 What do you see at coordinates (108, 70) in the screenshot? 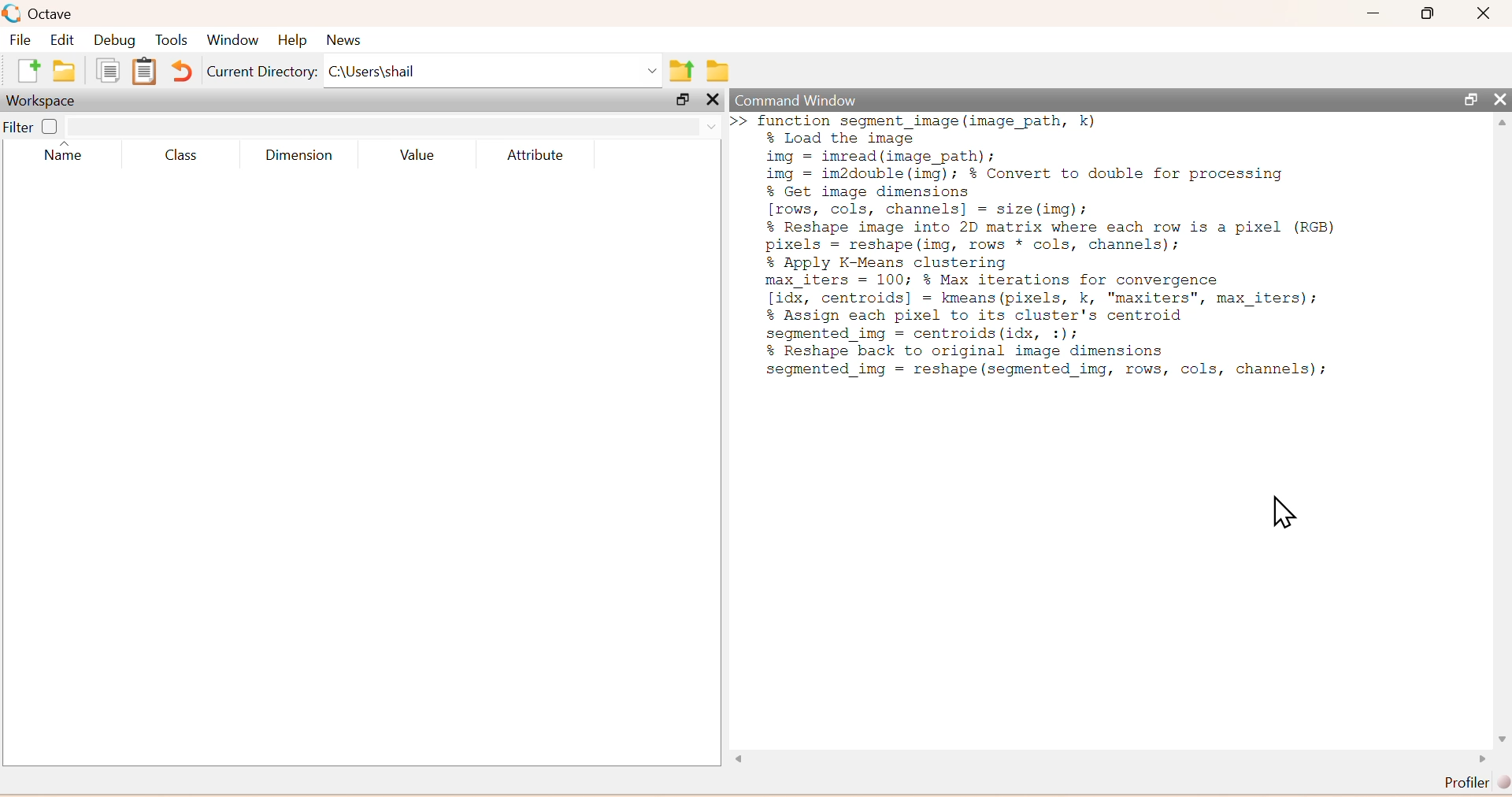
I see `copy` at bounding box center [108, 70].